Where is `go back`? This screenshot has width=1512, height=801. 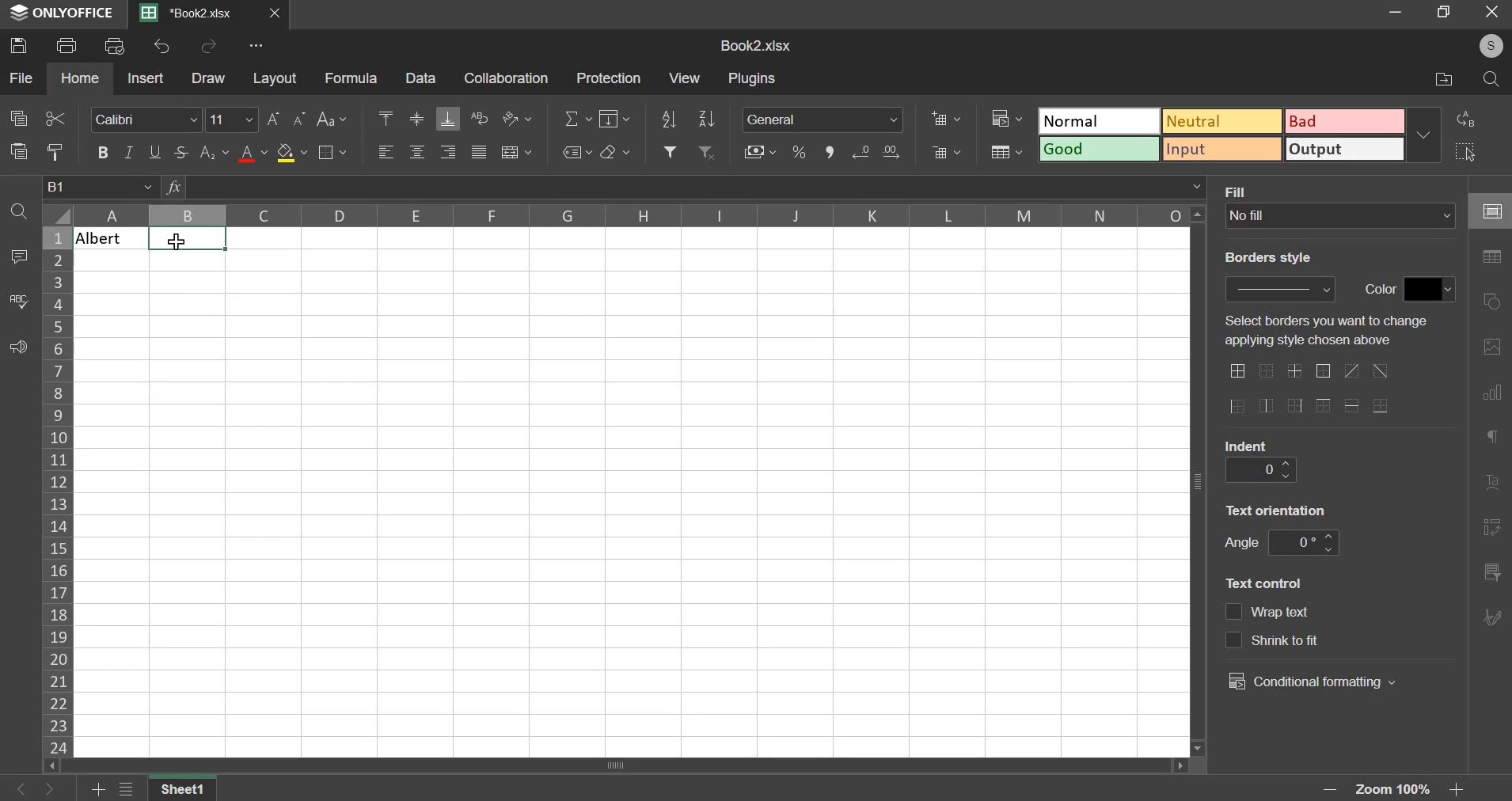
go back is located at coordinates (18, 789).